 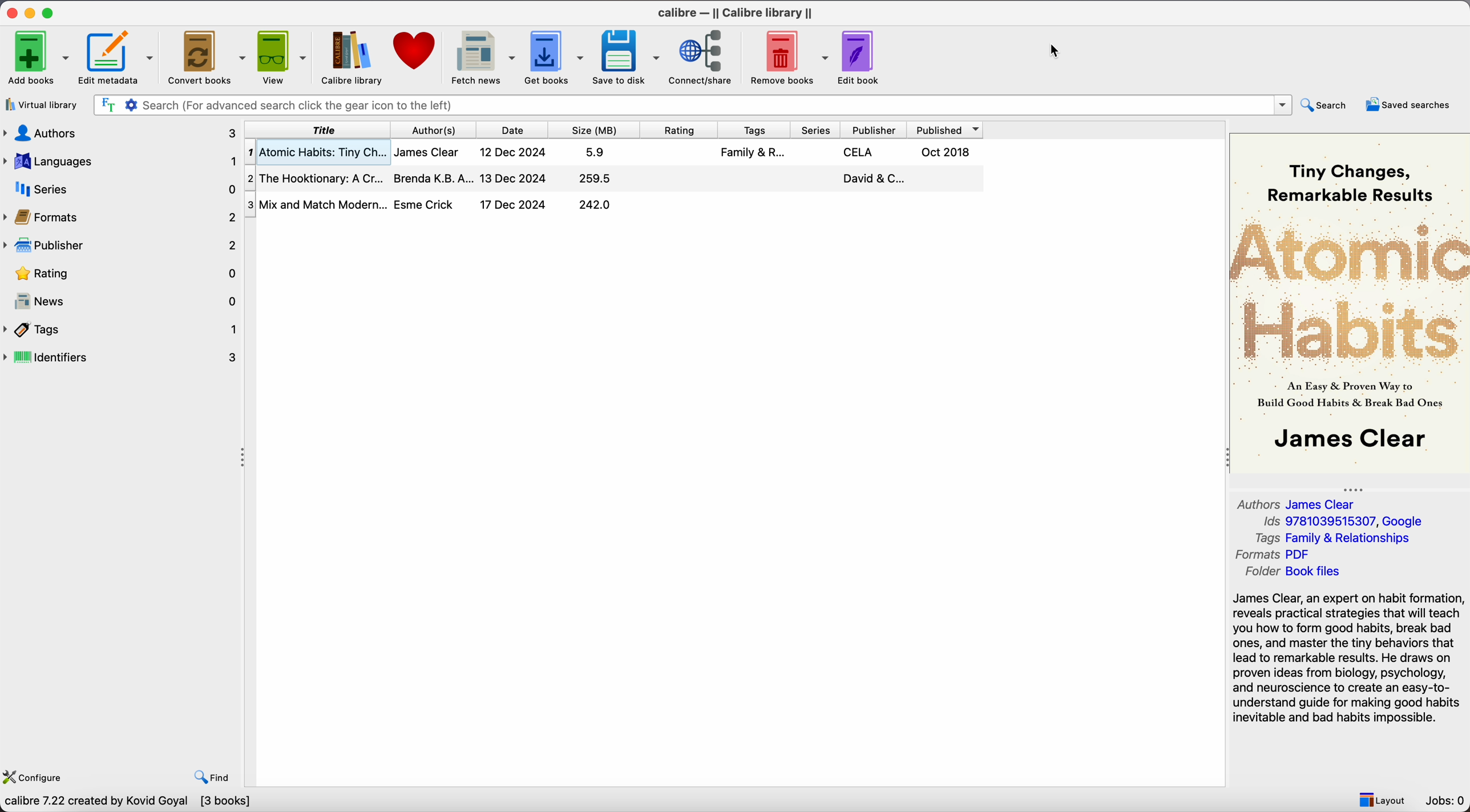 What do you see at coordinates (1326, 106) in the screenshot?
I see `search` at bounding box center [1326, 106].